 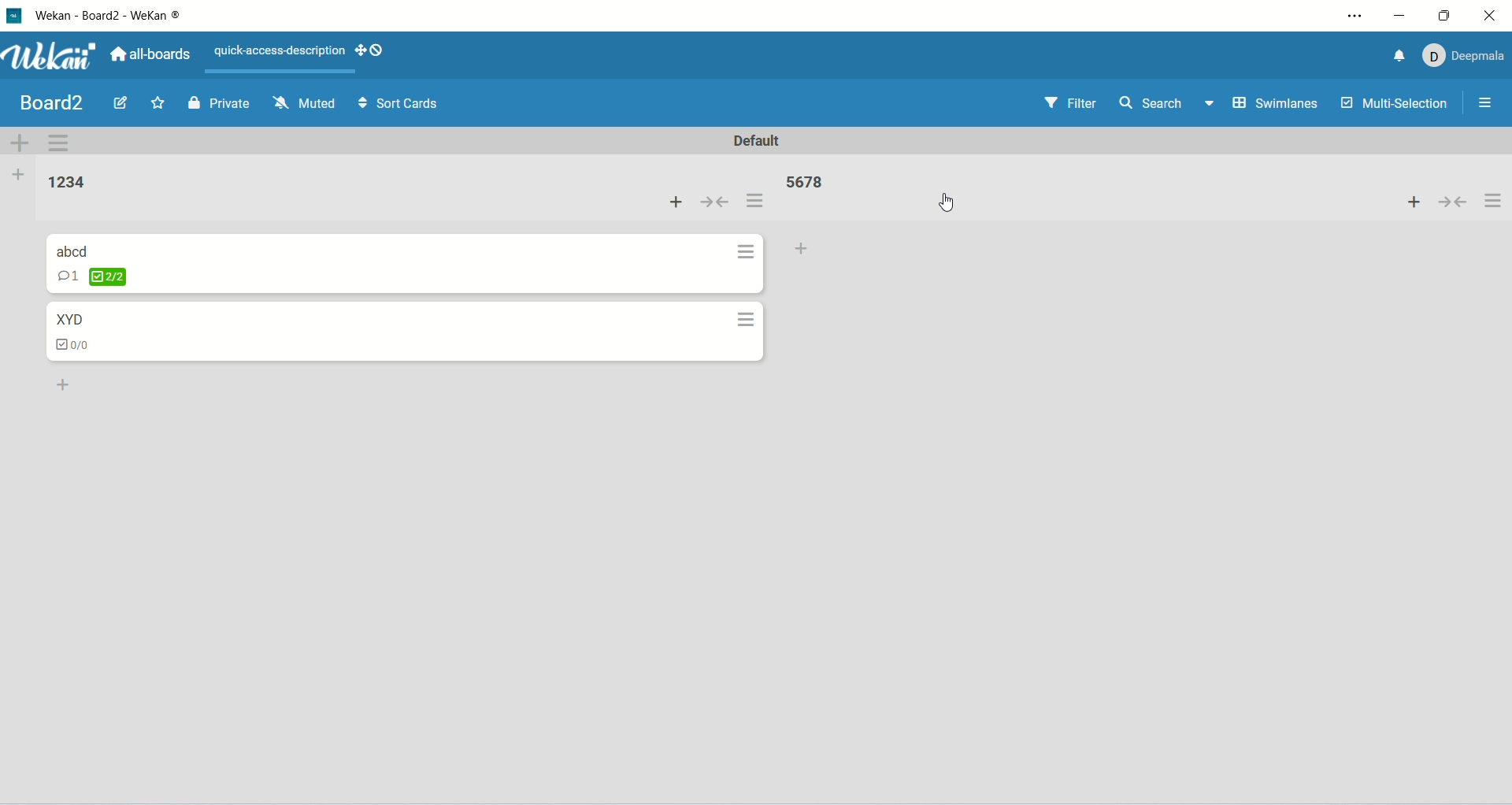 I want to click on settings and more, so click(x=1354, y=17).